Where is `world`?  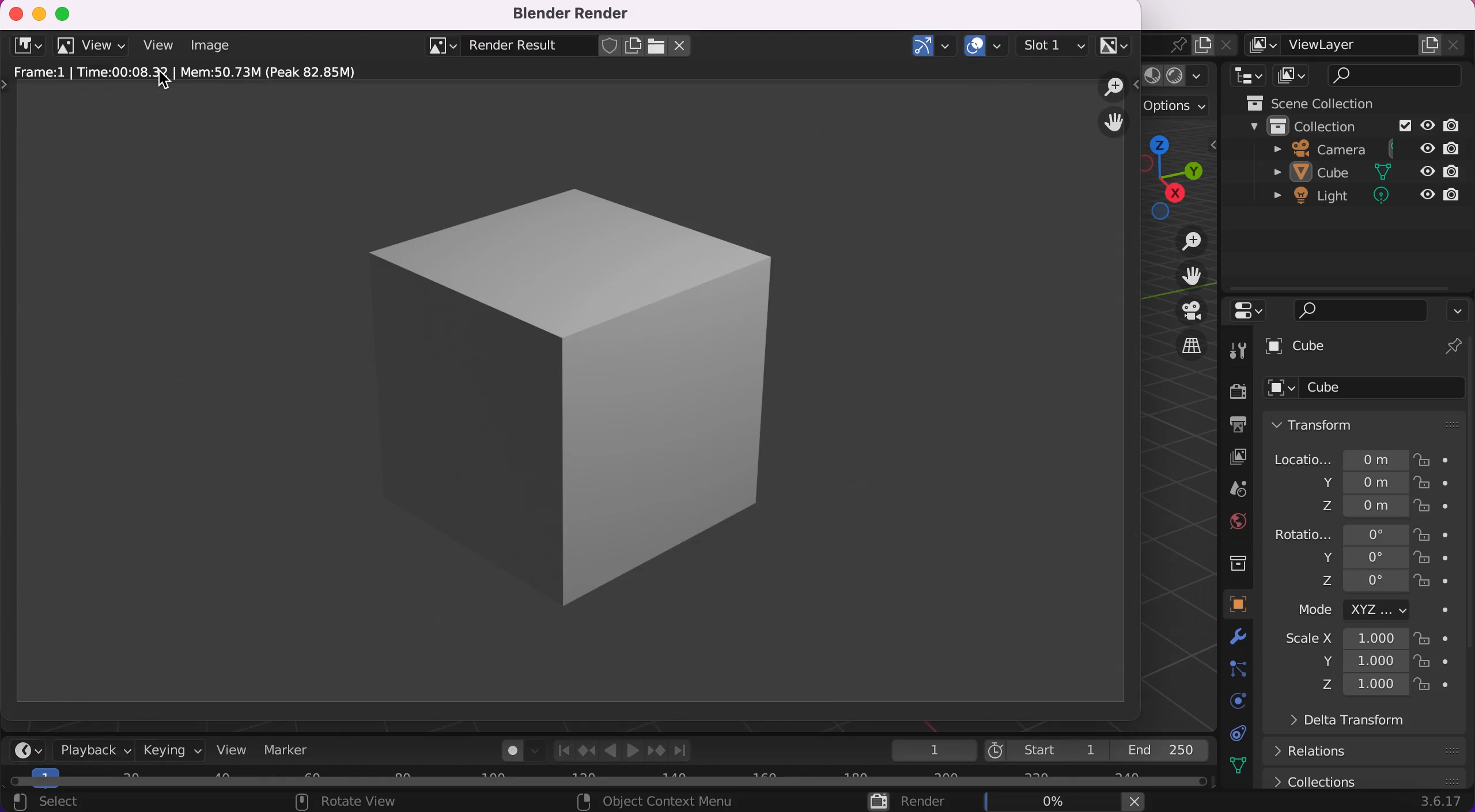
world is located at coordinates (1228, 523).